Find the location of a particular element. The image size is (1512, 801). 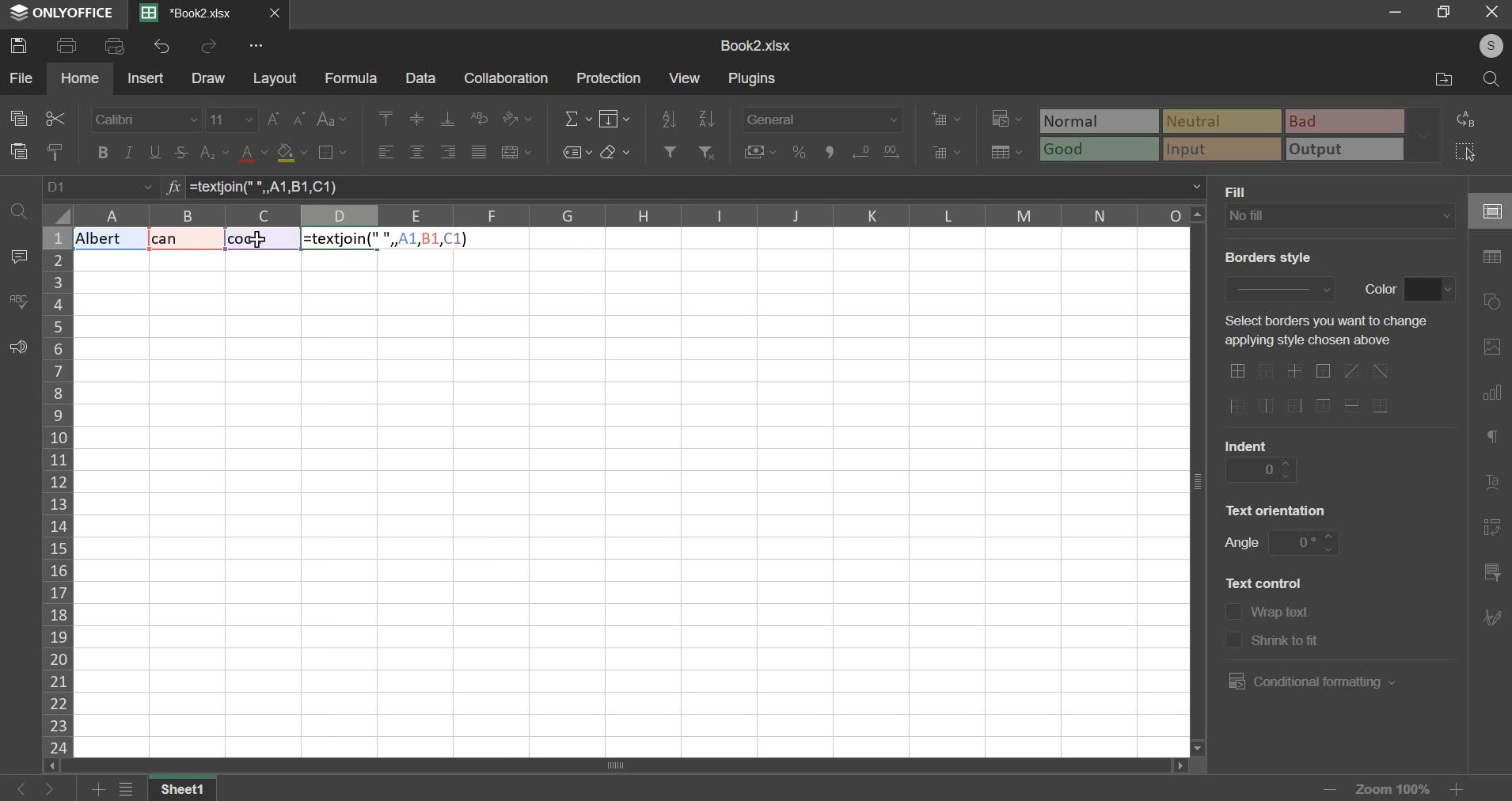

view more is located at coordinates (258, 46).